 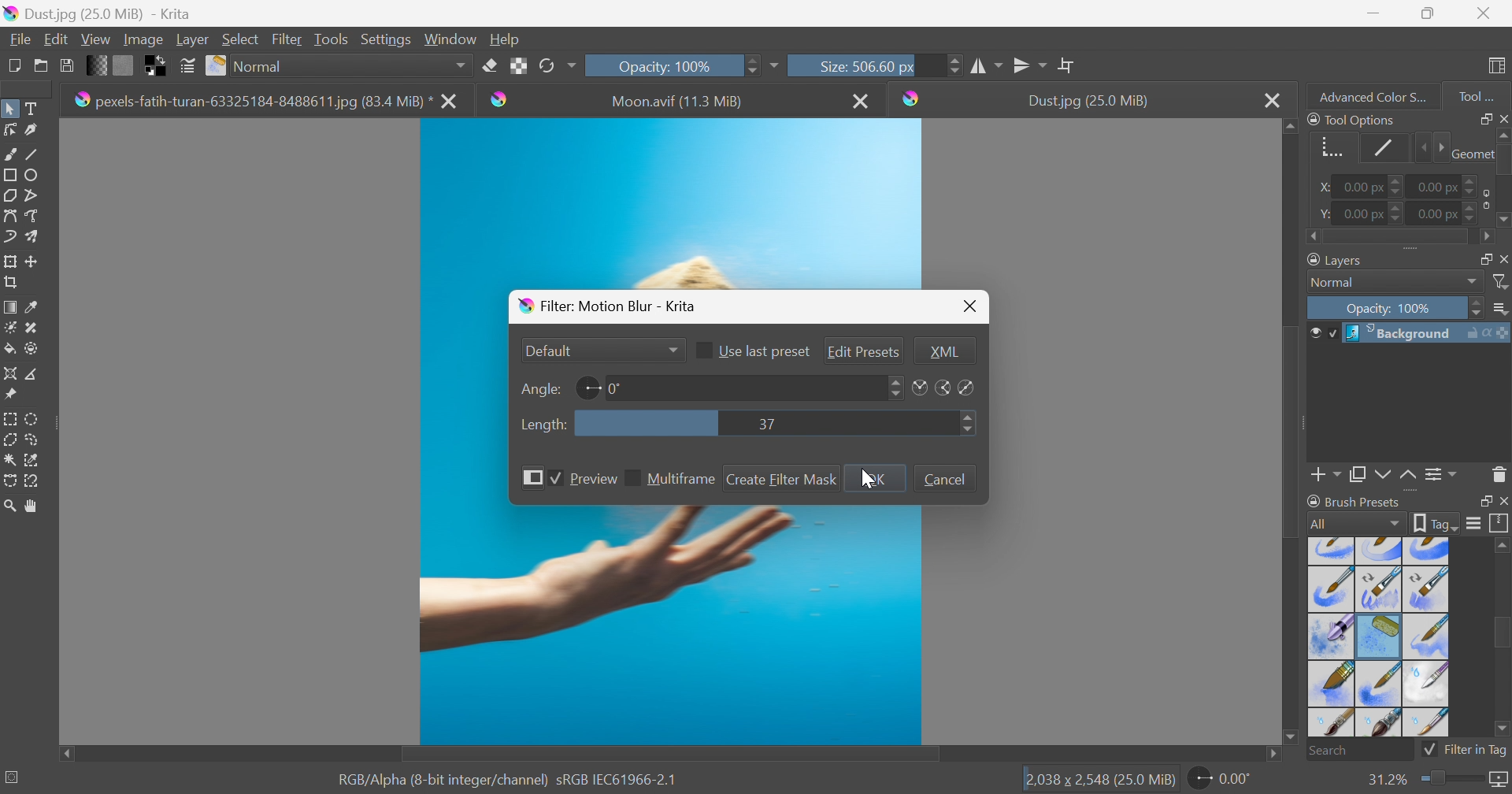 What do you see at coordinates (1364, 214) in the screenshot?
I see `0.00 px` at bounding box center [1364, 214].